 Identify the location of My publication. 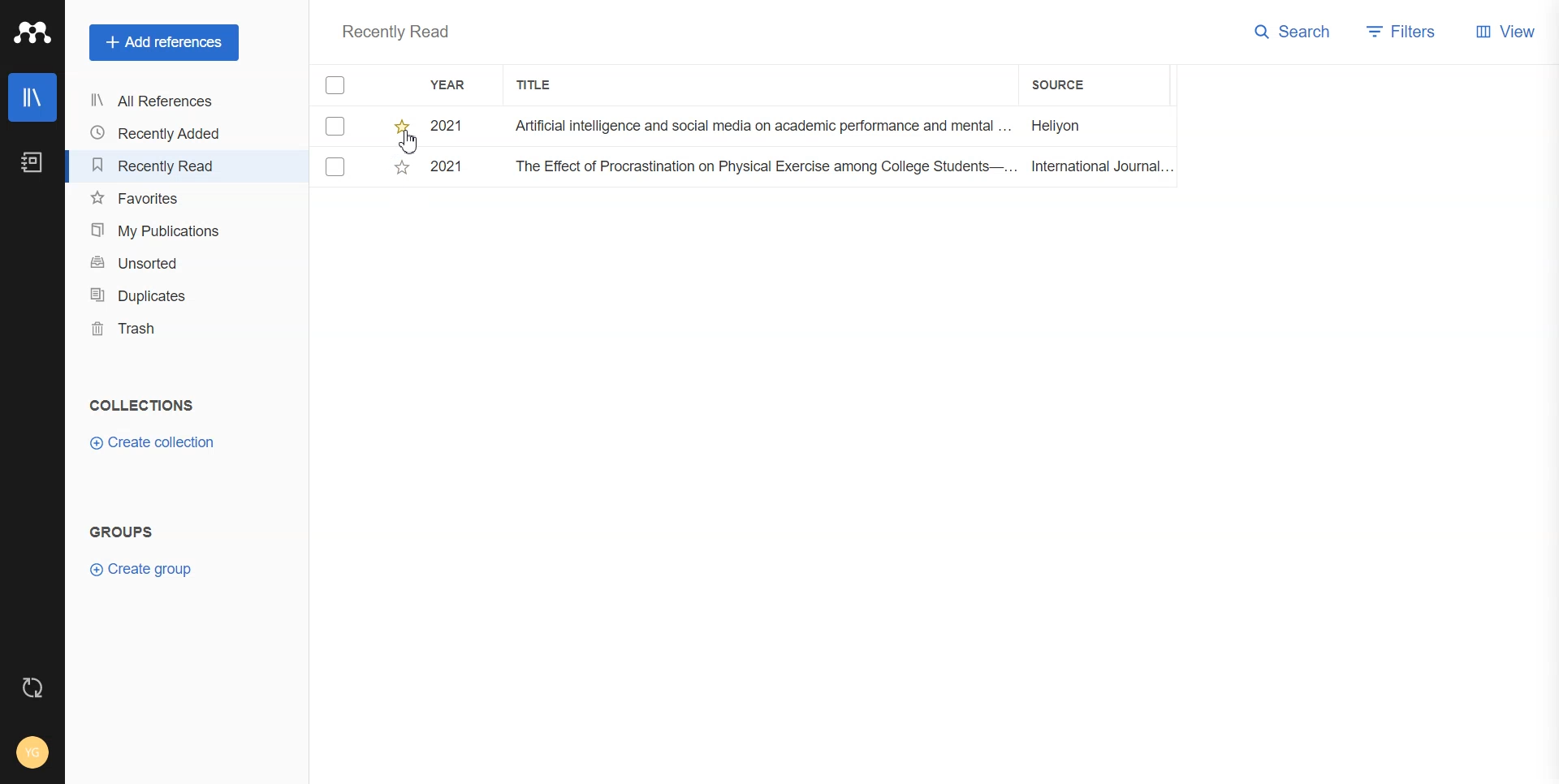
(162, 230).